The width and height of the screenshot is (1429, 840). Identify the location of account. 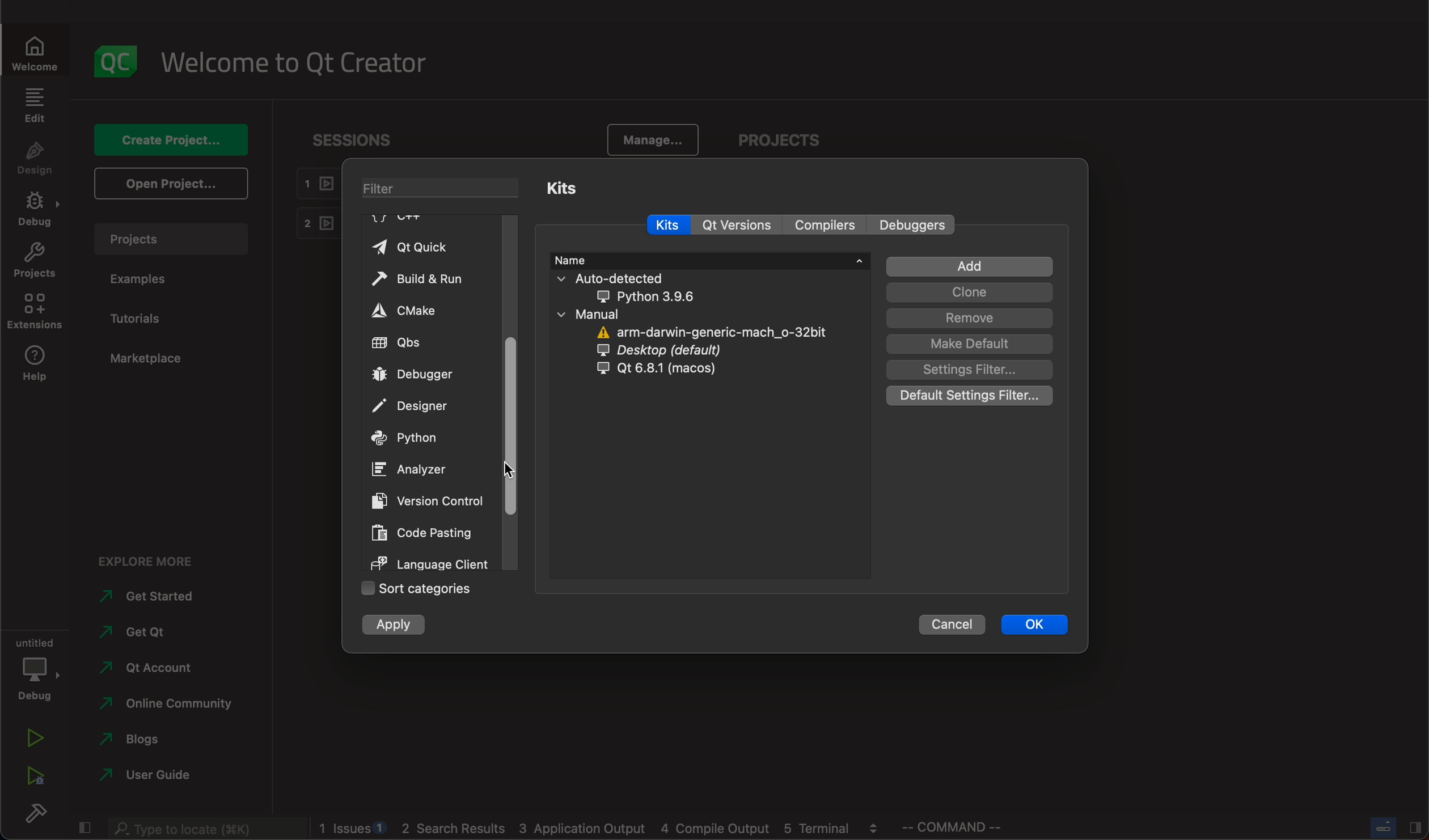
(151, 669).